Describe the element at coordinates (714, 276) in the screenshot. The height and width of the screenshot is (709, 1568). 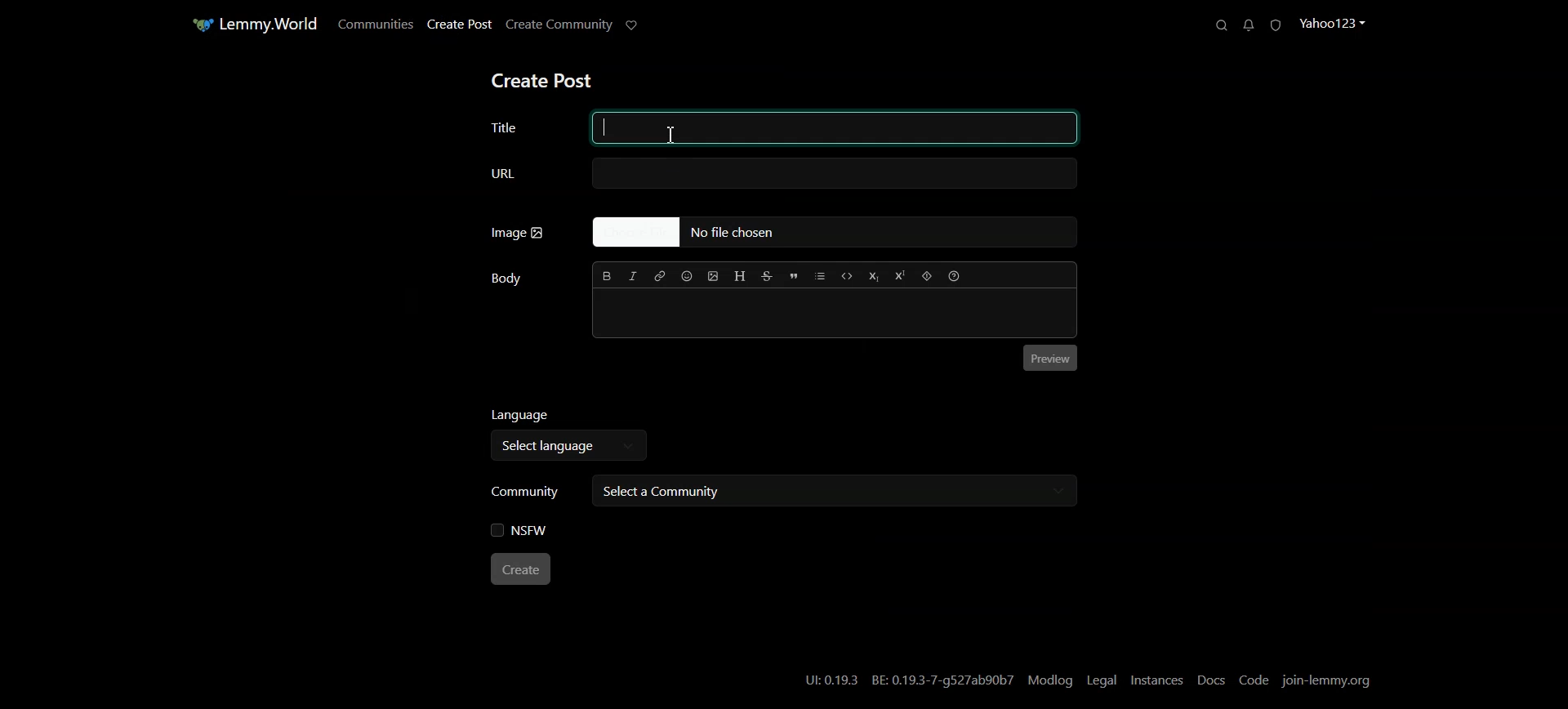
I see `Upload Image` at that location.